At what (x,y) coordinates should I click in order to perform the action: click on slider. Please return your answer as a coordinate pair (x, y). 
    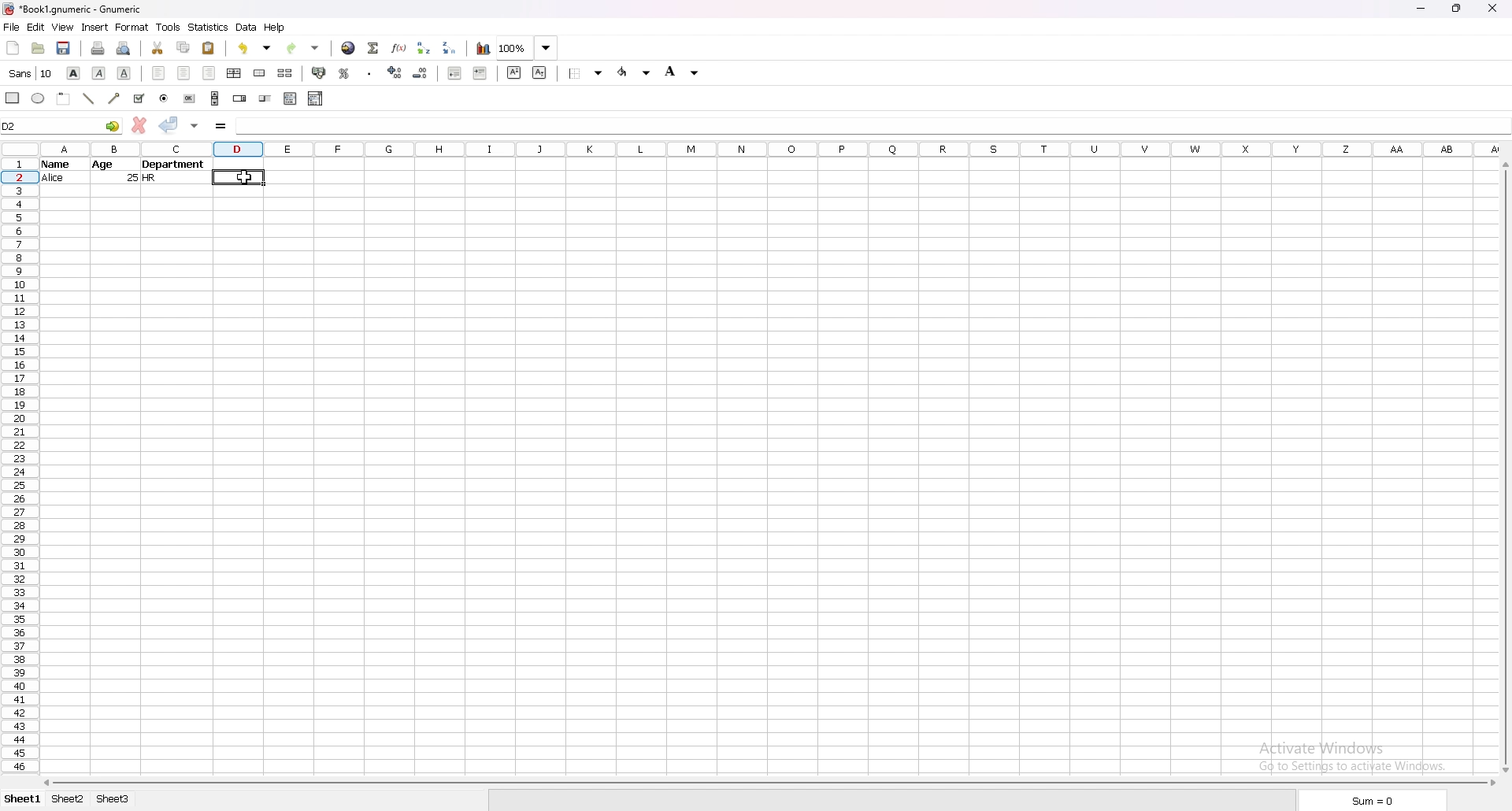
    Looking at the image, I should click on (265, 100).